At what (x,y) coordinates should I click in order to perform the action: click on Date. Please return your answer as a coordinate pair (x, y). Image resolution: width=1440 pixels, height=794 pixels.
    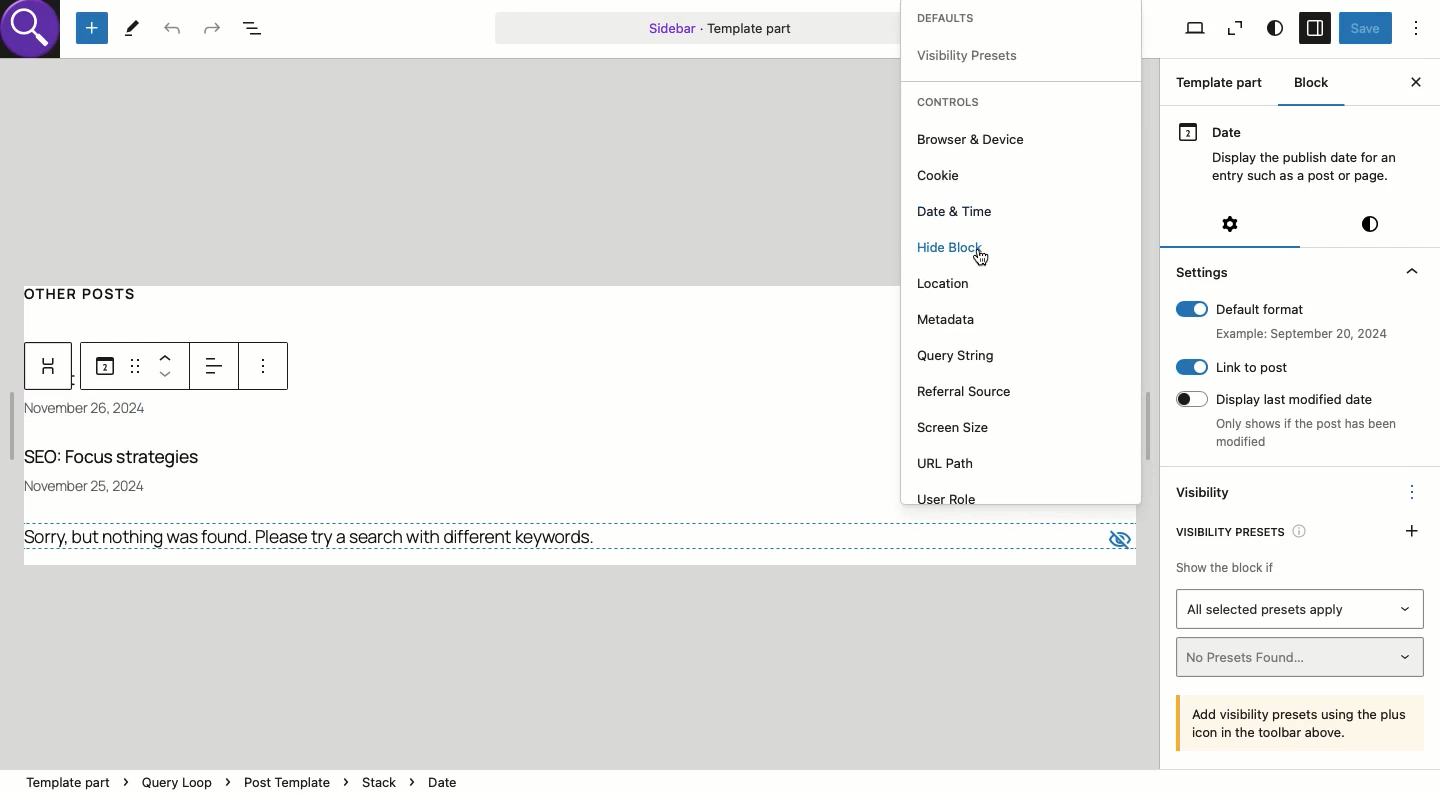
    Looking at the image, I should click on (1292, 151).